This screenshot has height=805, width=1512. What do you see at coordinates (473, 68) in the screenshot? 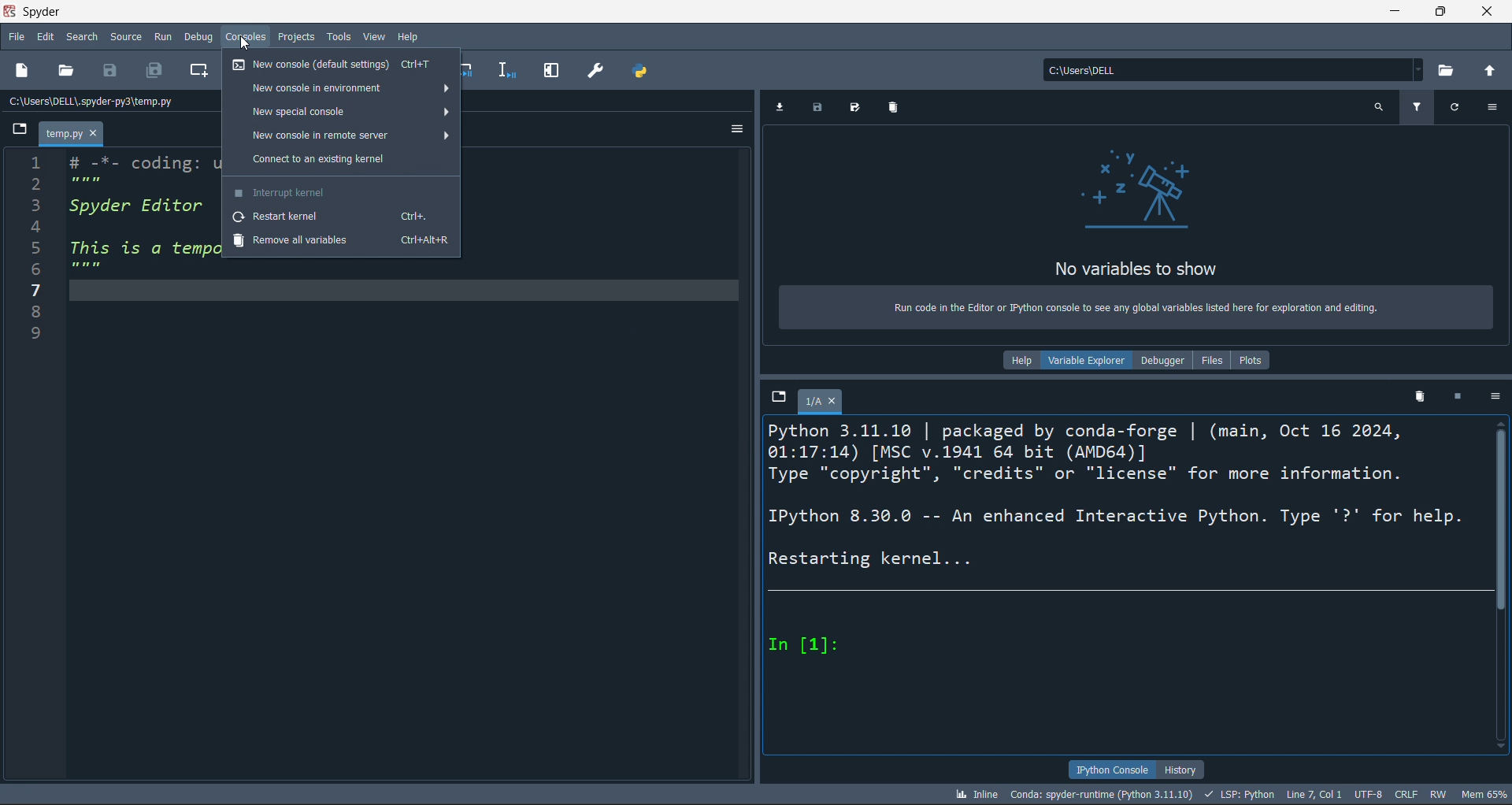
I see `debug cell` at bounding box center [473, 68].